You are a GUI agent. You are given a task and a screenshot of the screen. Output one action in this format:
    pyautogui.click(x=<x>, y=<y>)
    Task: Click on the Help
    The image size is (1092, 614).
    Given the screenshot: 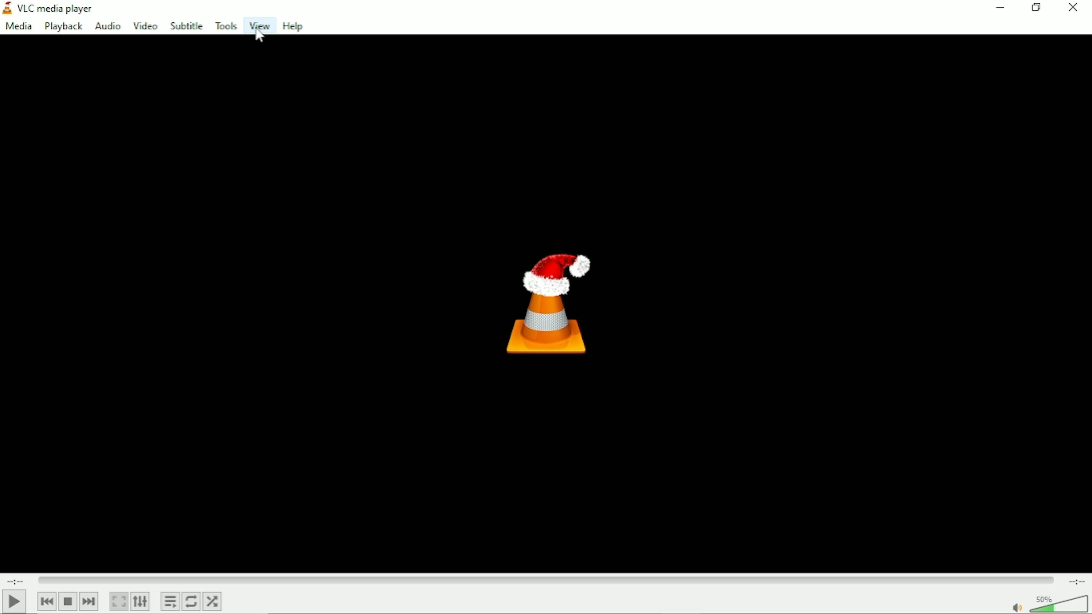 What is the action you would take?
    pyautogui.click(x=293, y=26)
    